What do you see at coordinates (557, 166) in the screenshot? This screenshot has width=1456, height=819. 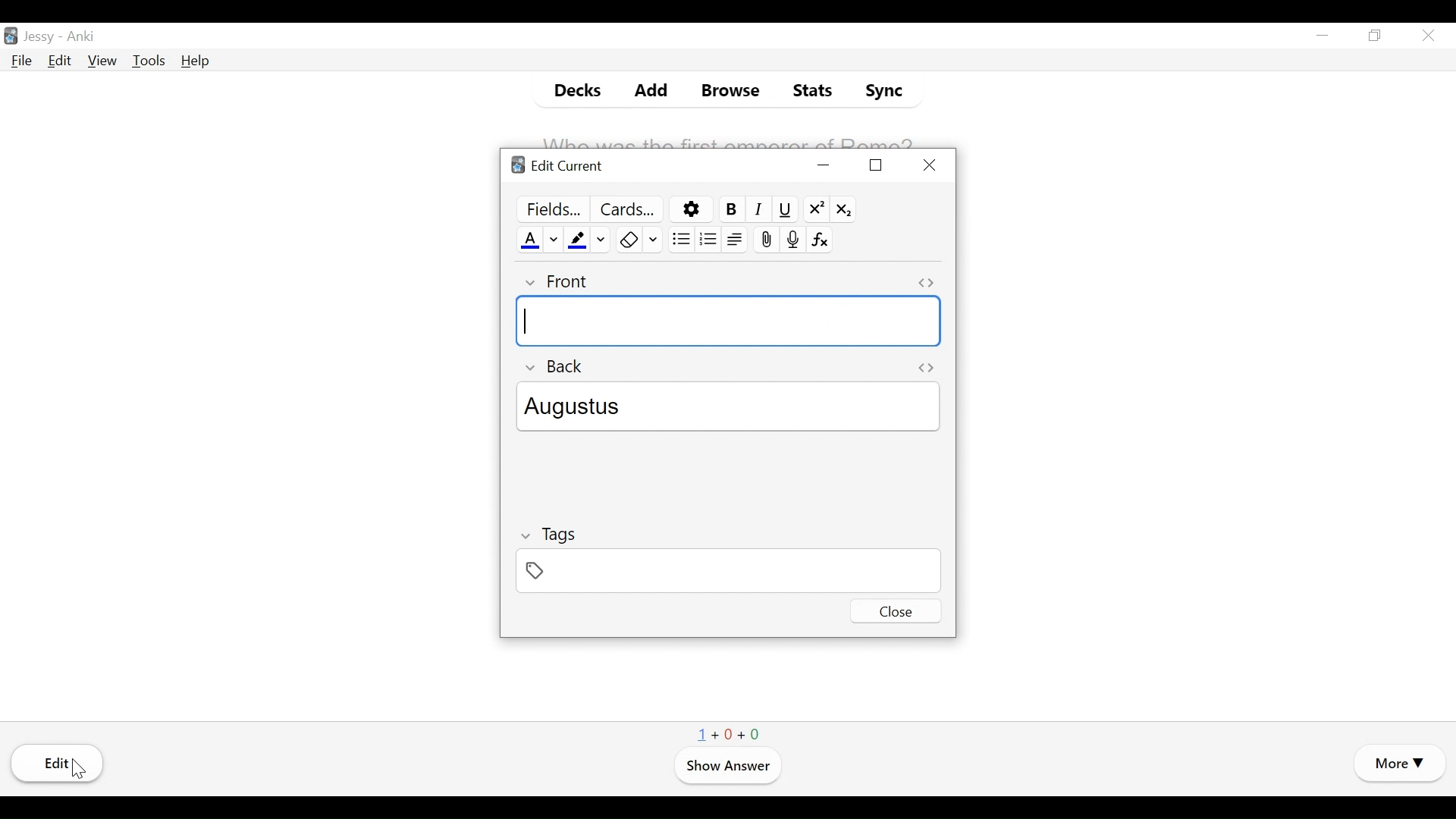 I see `Edit Current` at bounding box center [557, 166].